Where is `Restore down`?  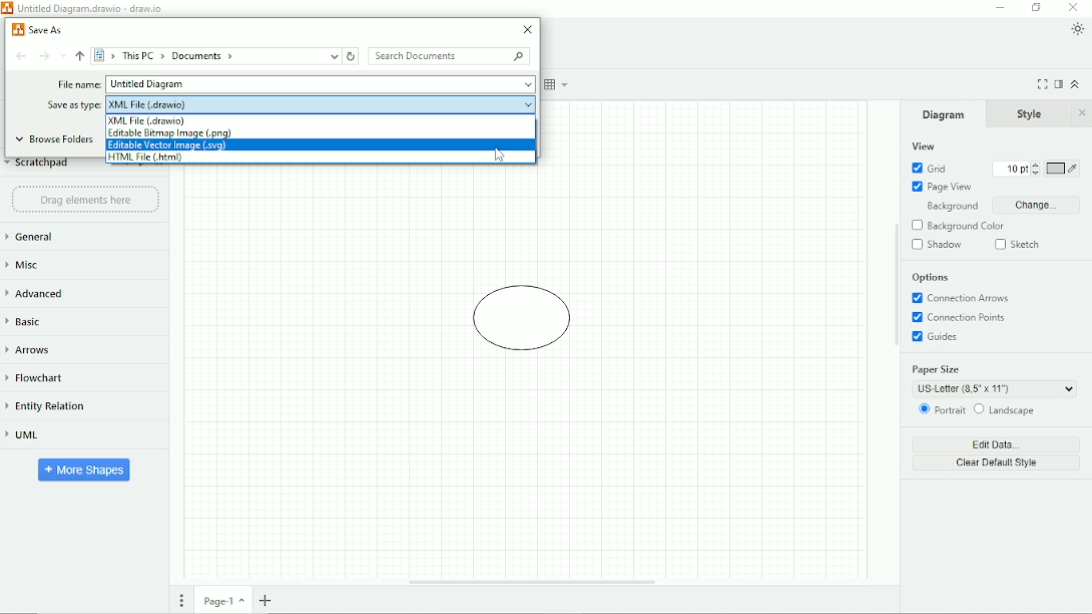 Restore down is located at coordinates (1036, 8).